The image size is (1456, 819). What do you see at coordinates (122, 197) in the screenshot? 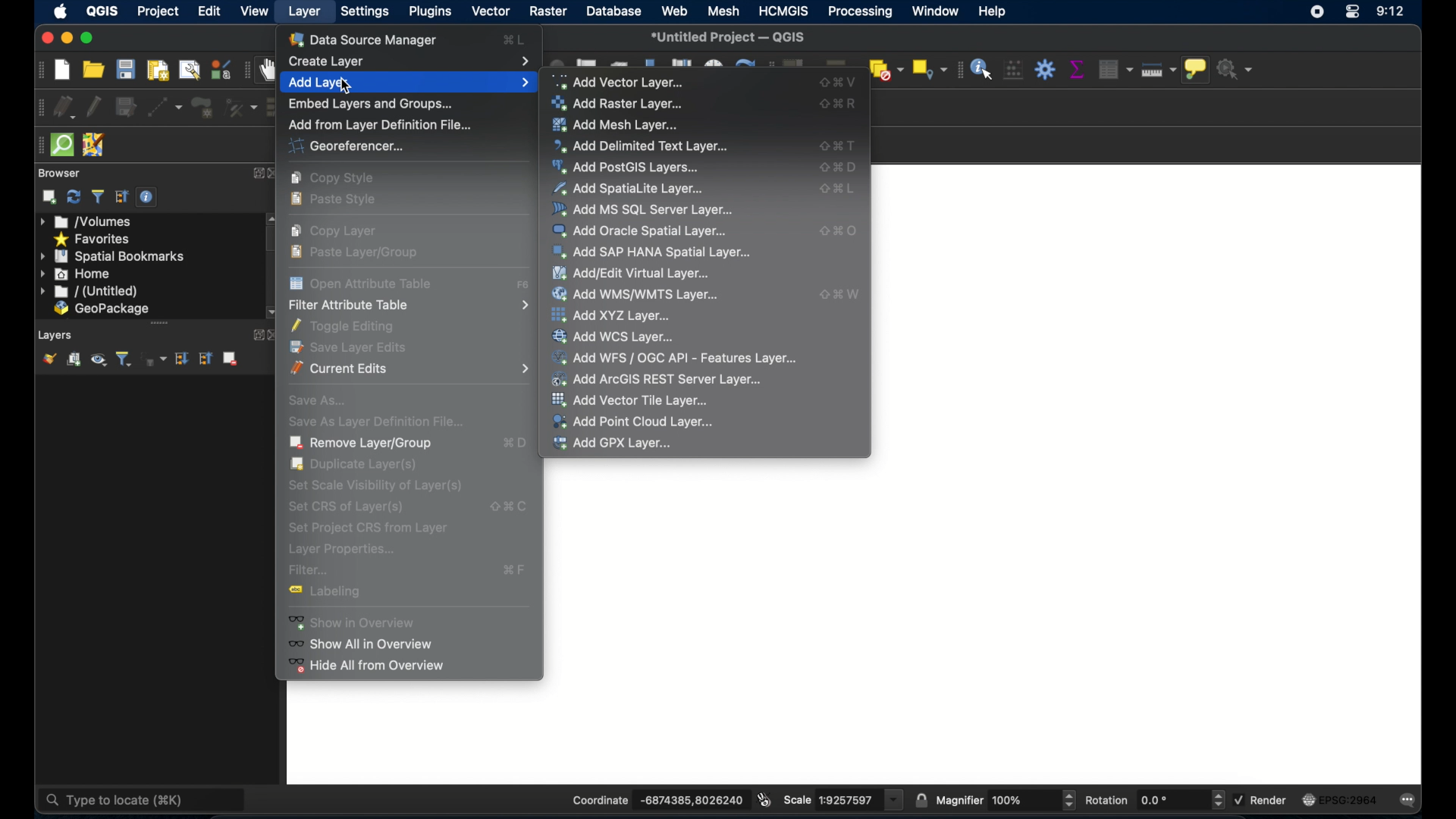
I see `collapse all` at bounding box center [122, 197].